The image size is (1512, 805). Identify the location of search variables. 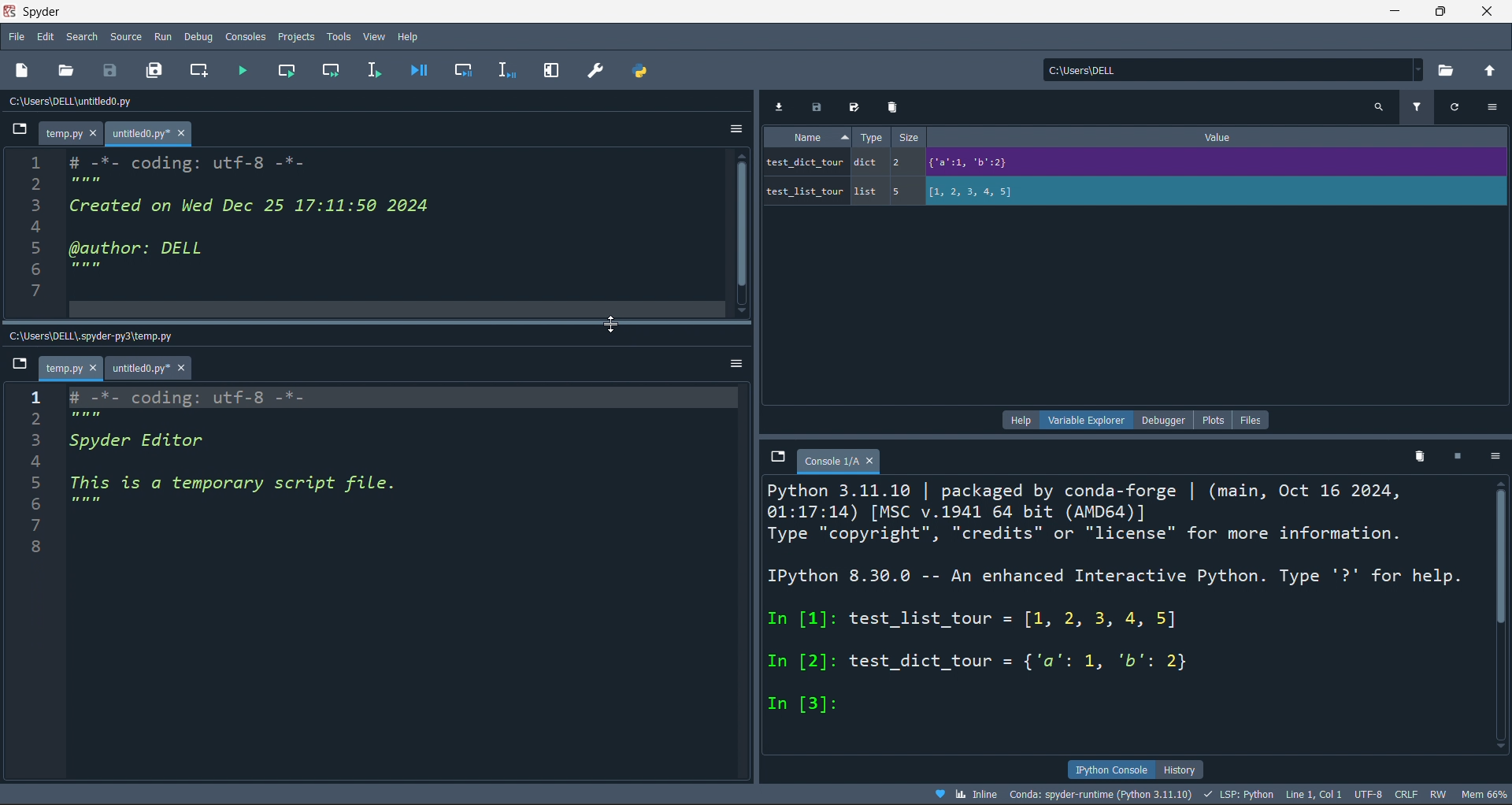
(1378, 108).